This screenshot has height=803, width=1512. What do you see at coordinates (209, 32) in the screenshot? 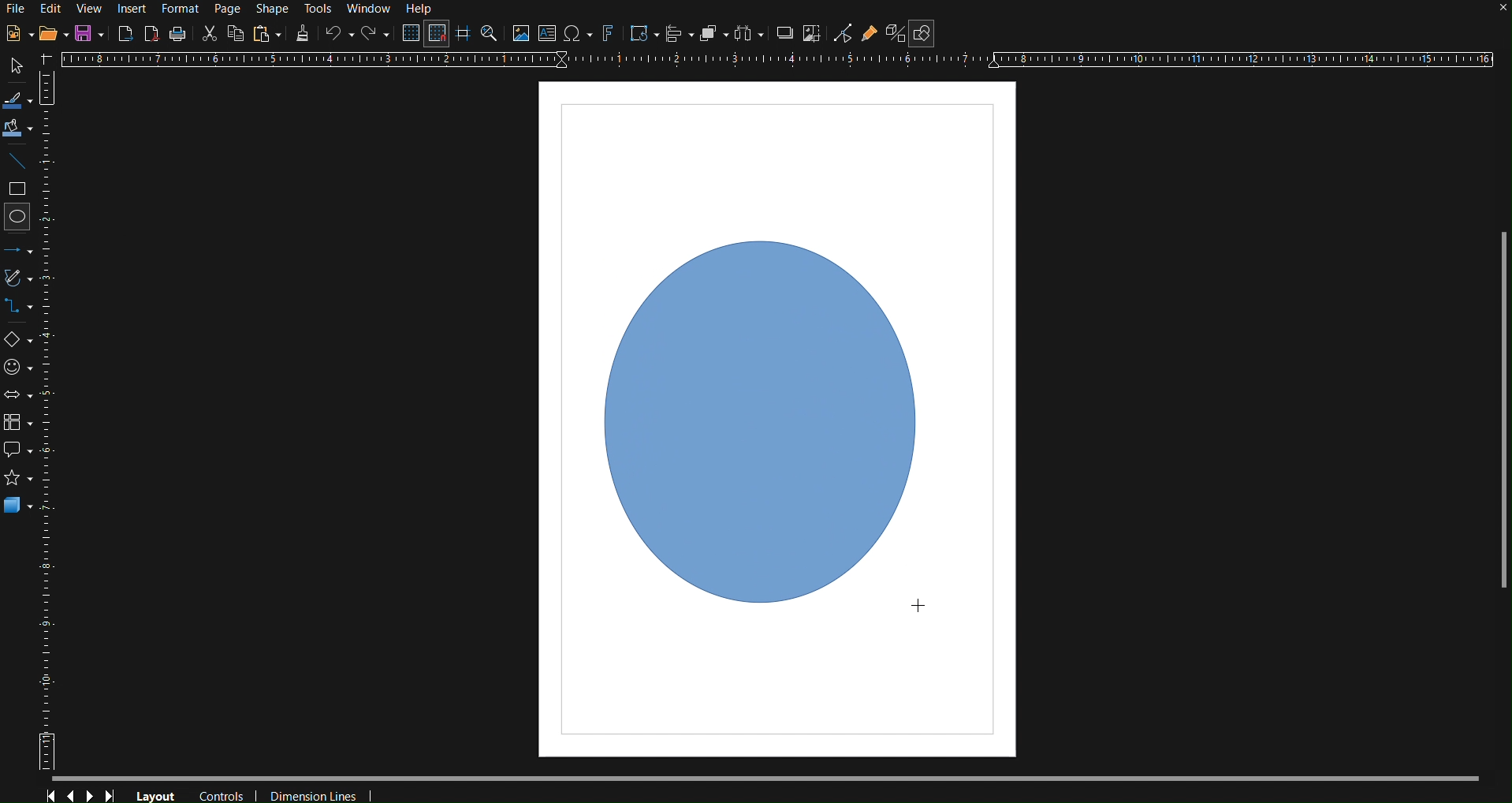
I see `Cut` at bounding box center [209, 32].